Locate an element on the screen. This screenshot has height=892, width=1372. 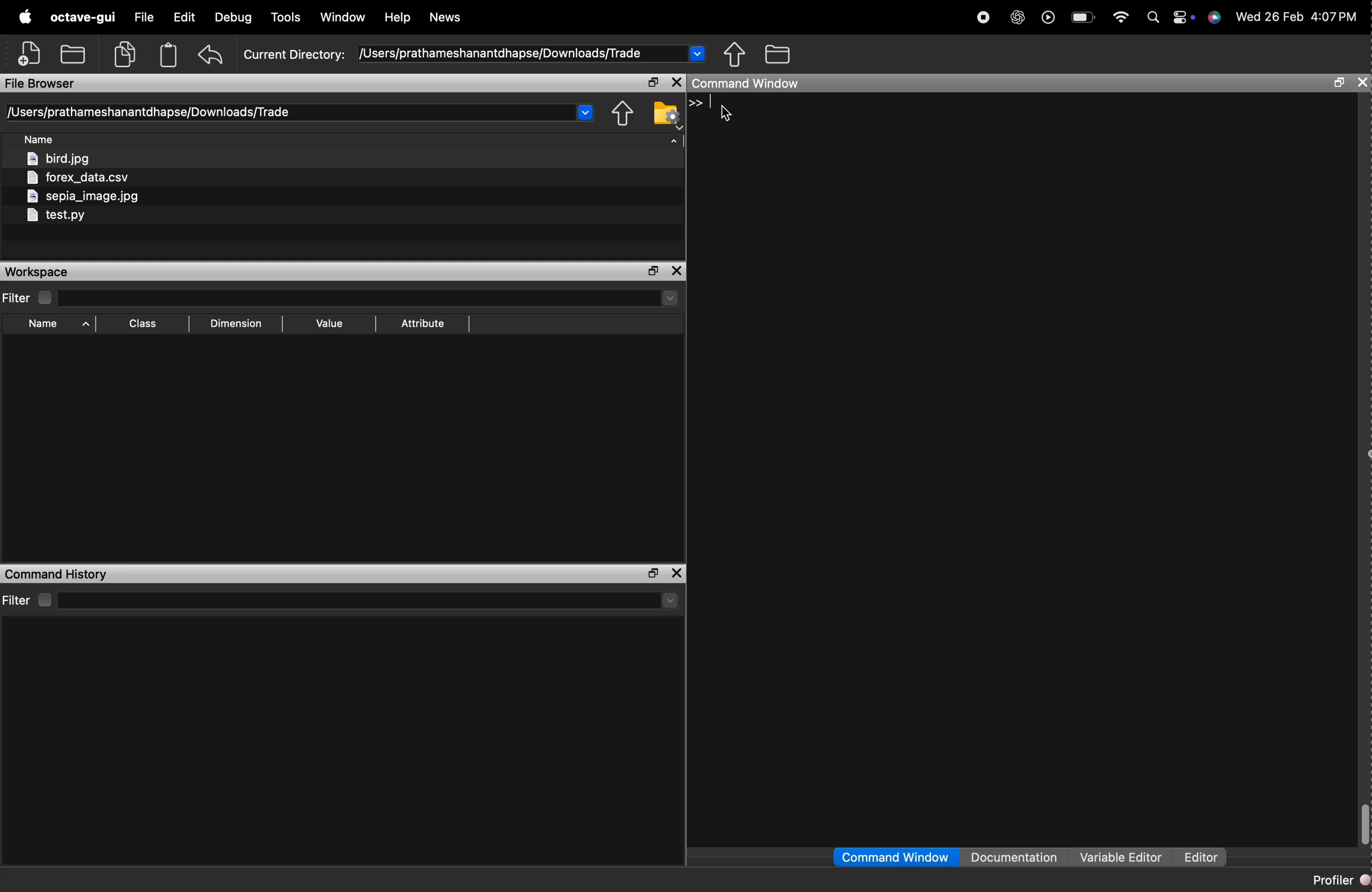
Window is located at coordinates (344, 16).